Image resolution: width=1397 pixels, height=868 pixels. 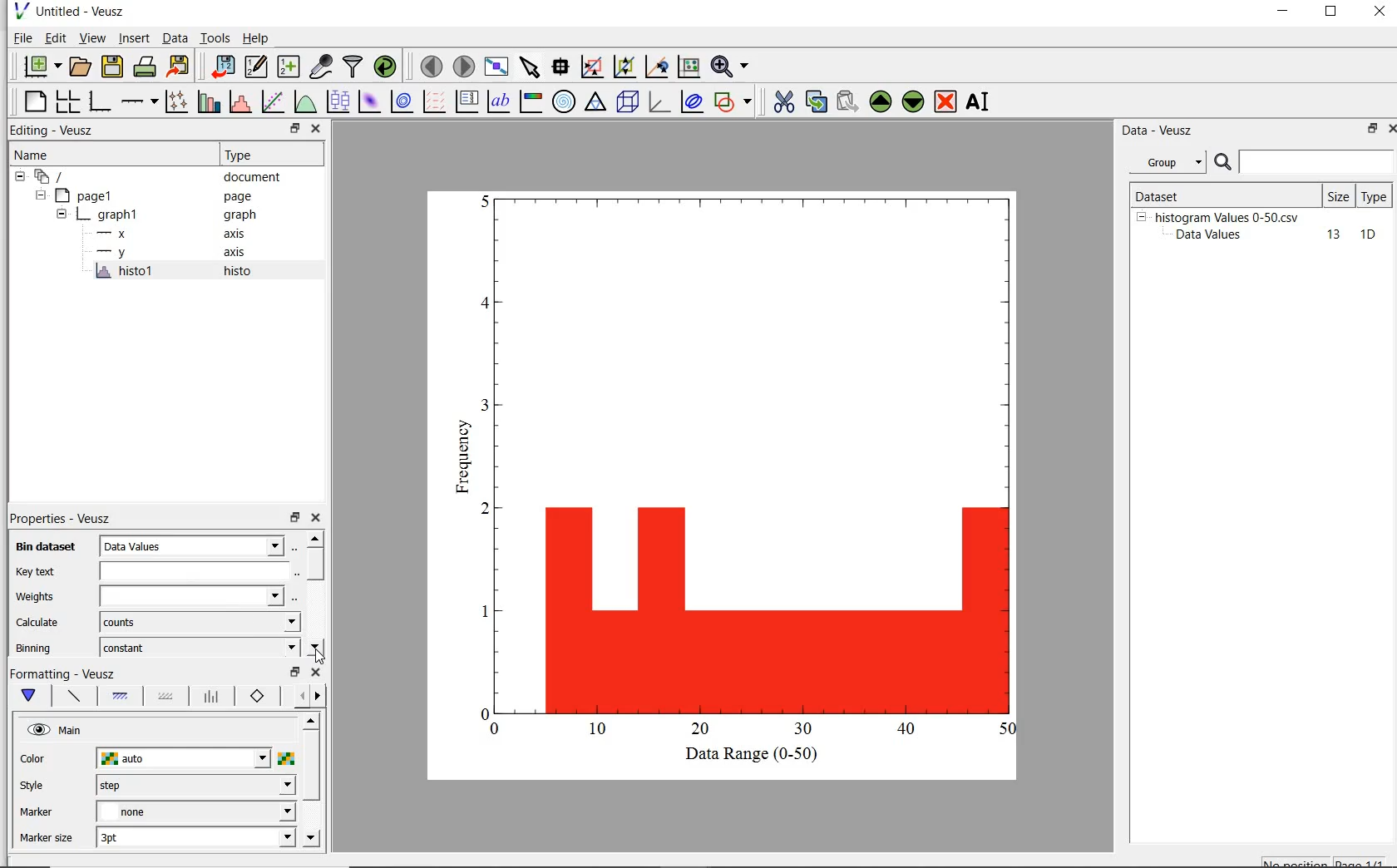 I want to click on move up, so click(x=310, y=720).